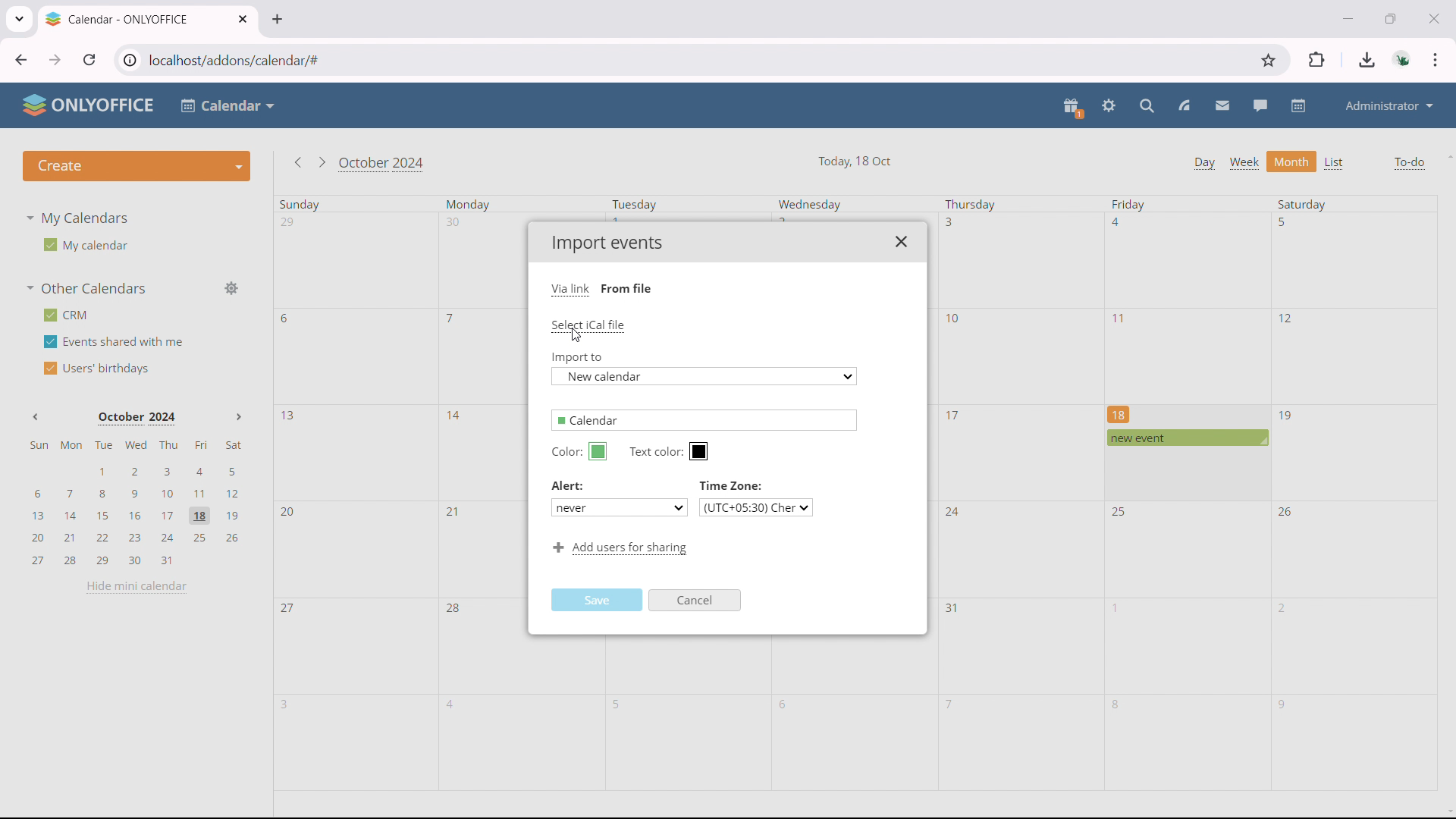  I want to click on scroll down, so click(1447, 813).